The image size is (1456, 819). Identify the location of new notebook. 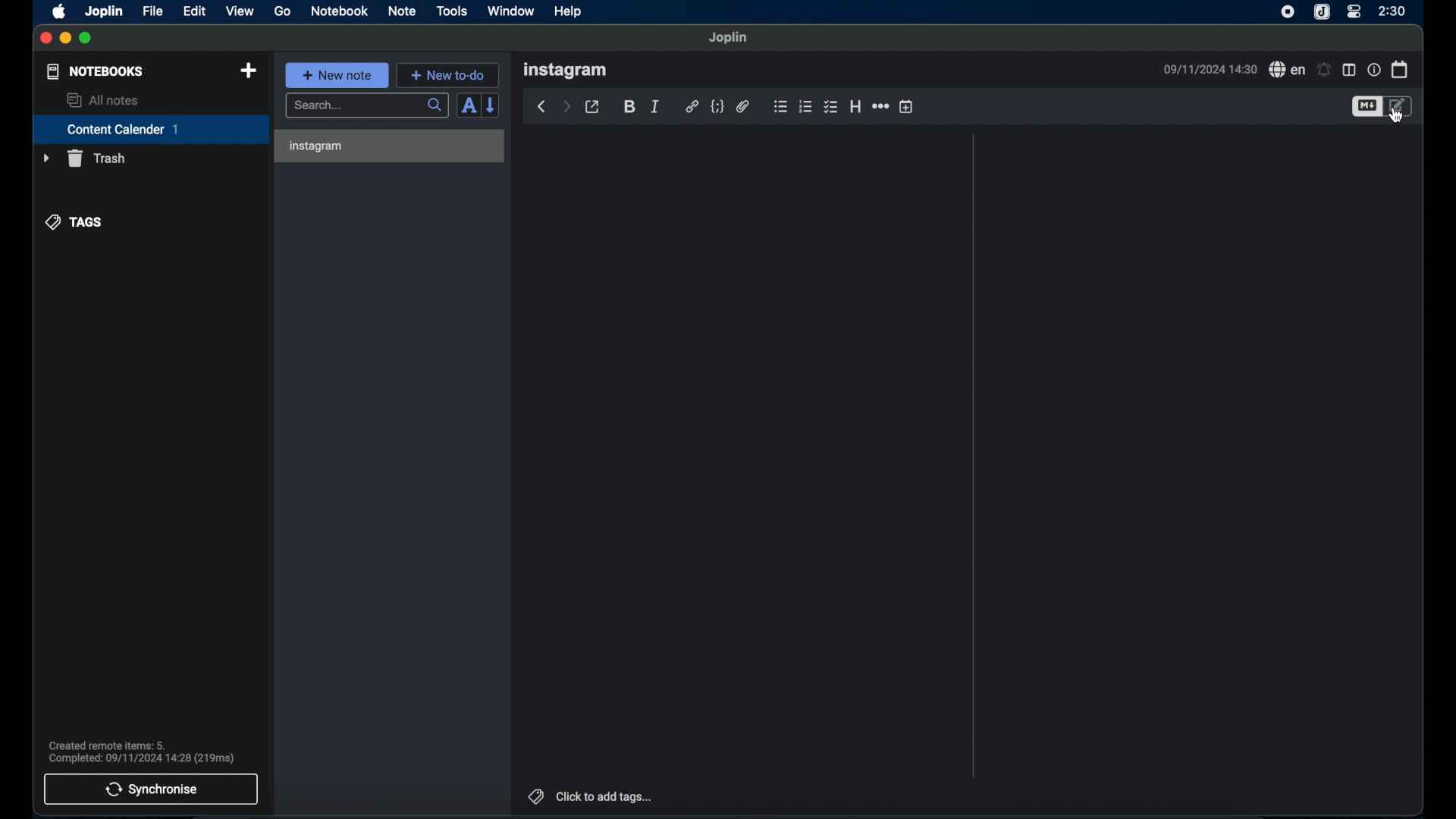
(249, 71).